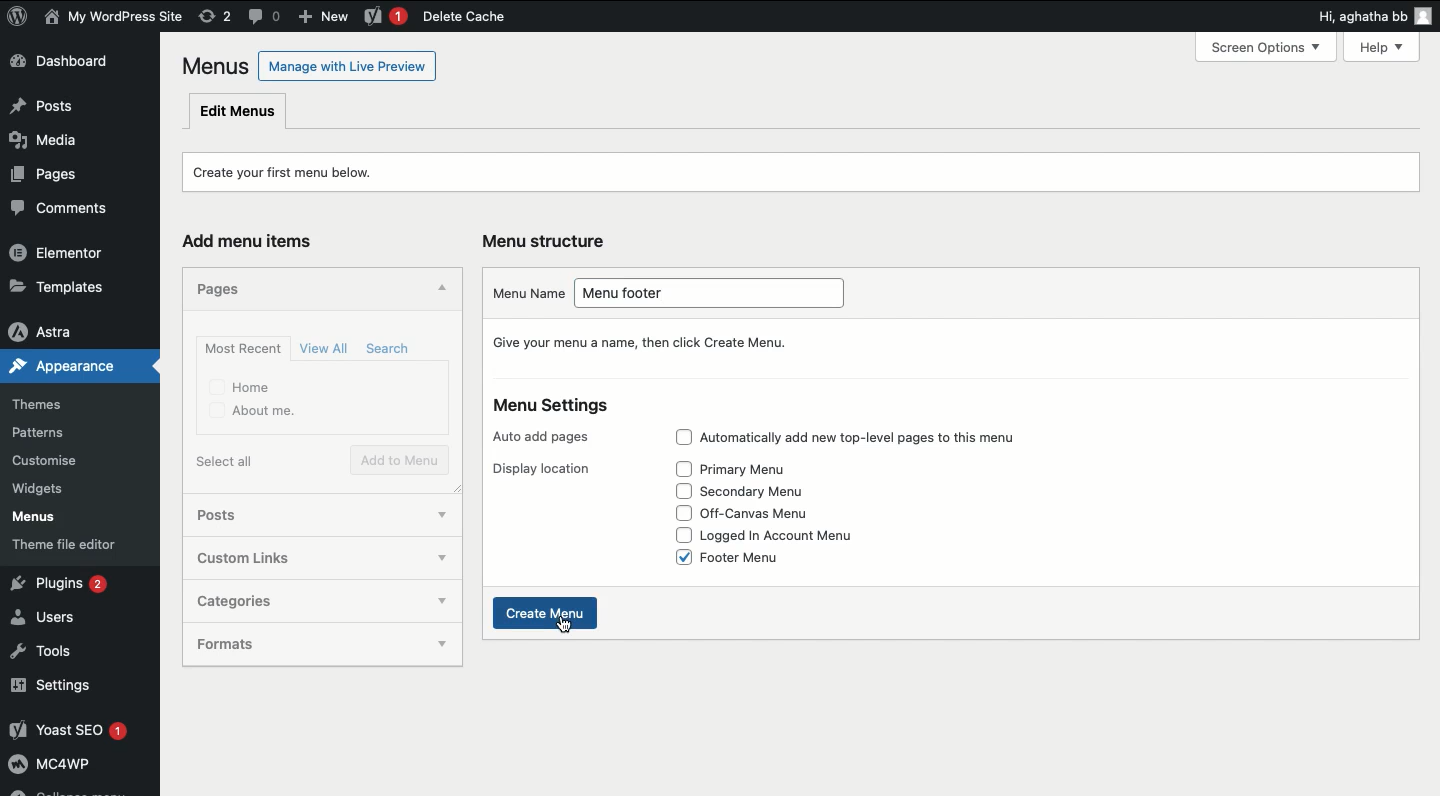 The image size is (1440, 796). What do you see at coordinates (399, 459) in the screenshot?
I see `Add to menu` at bounding box center [399, 459].